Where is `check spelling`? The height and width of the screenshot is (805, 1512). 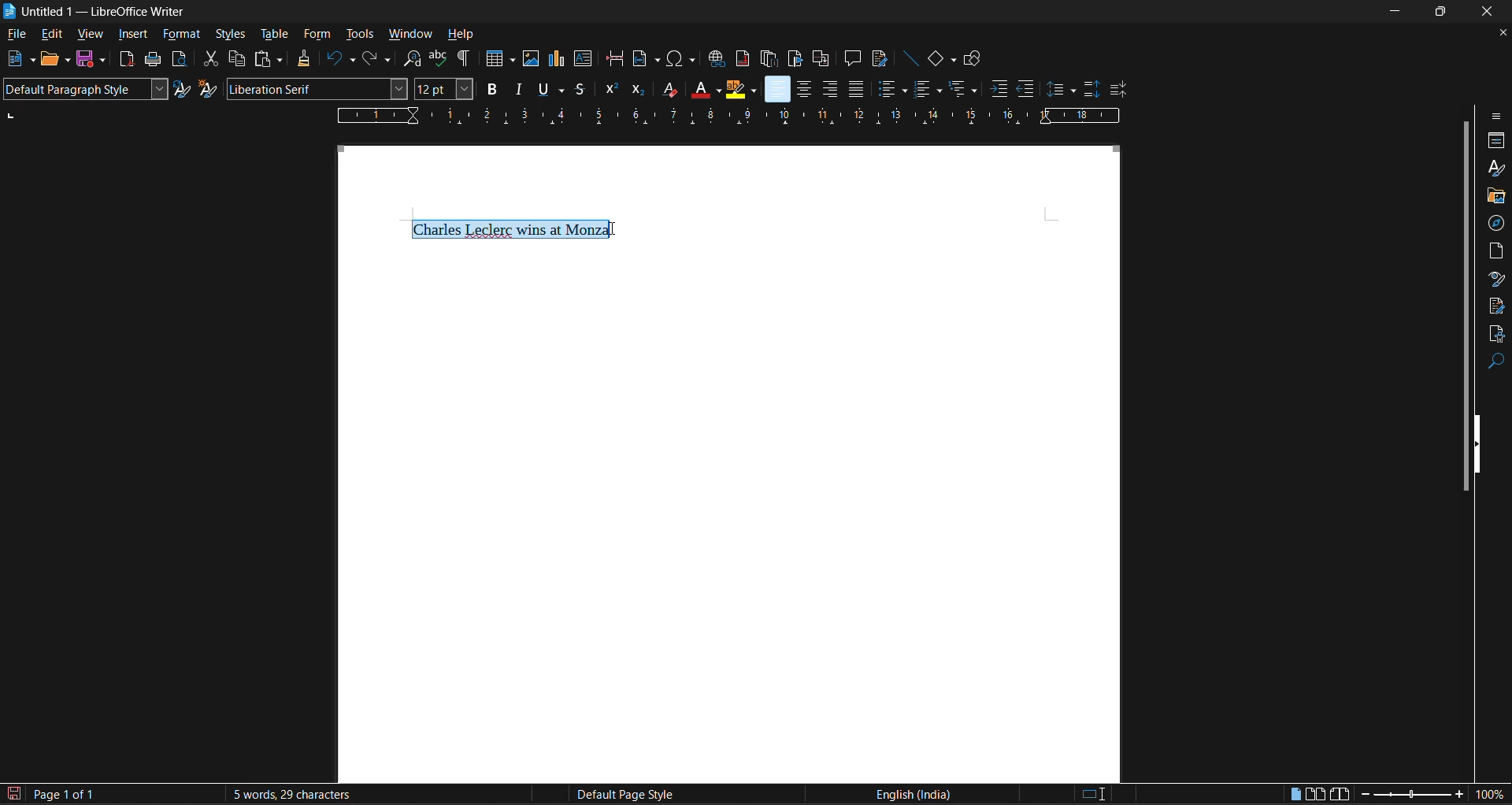 check spelling is located at coordinates (438, 58).